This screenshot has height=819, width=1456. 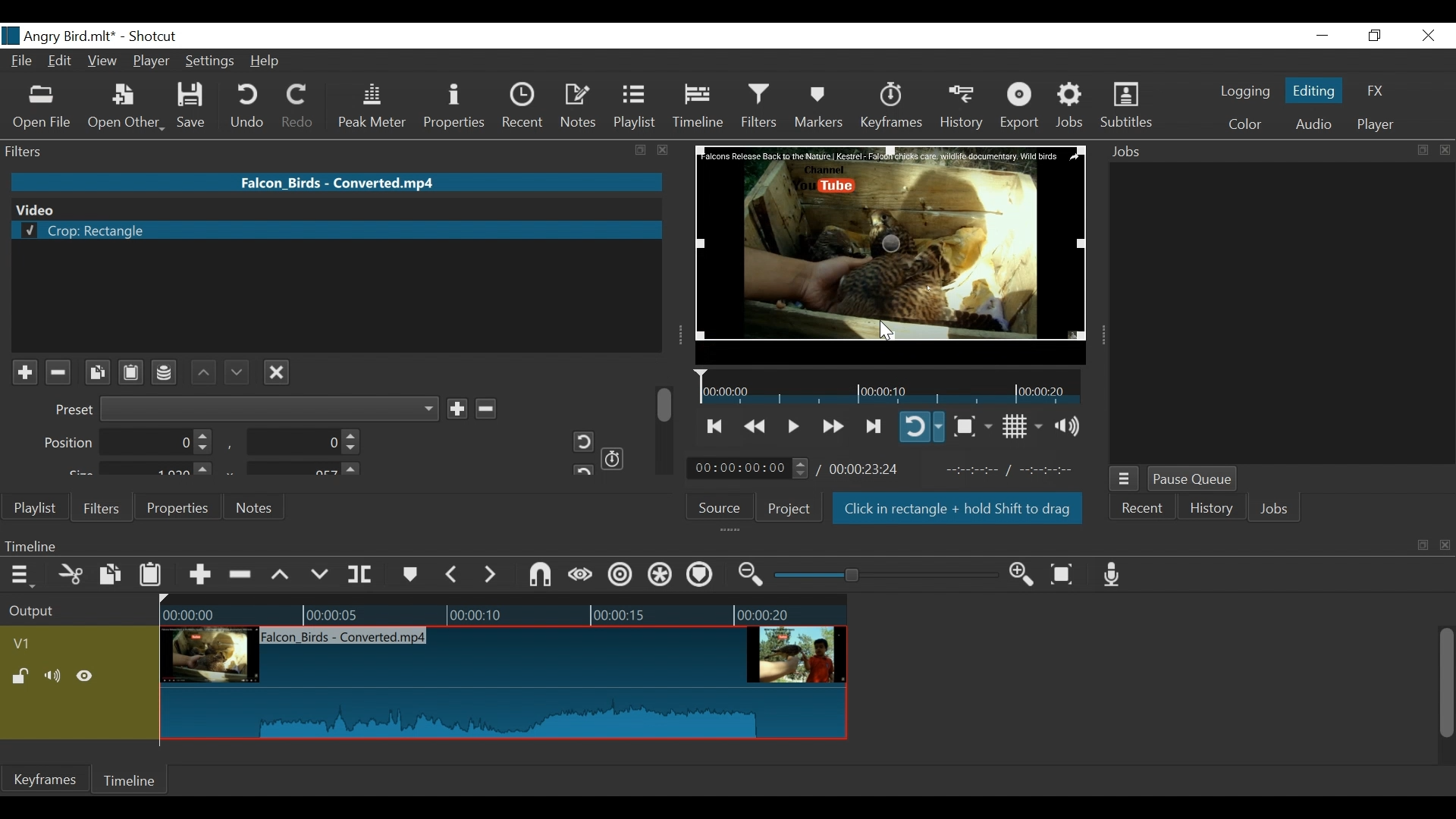 I want to click on close, so click(x=1445, y=150).